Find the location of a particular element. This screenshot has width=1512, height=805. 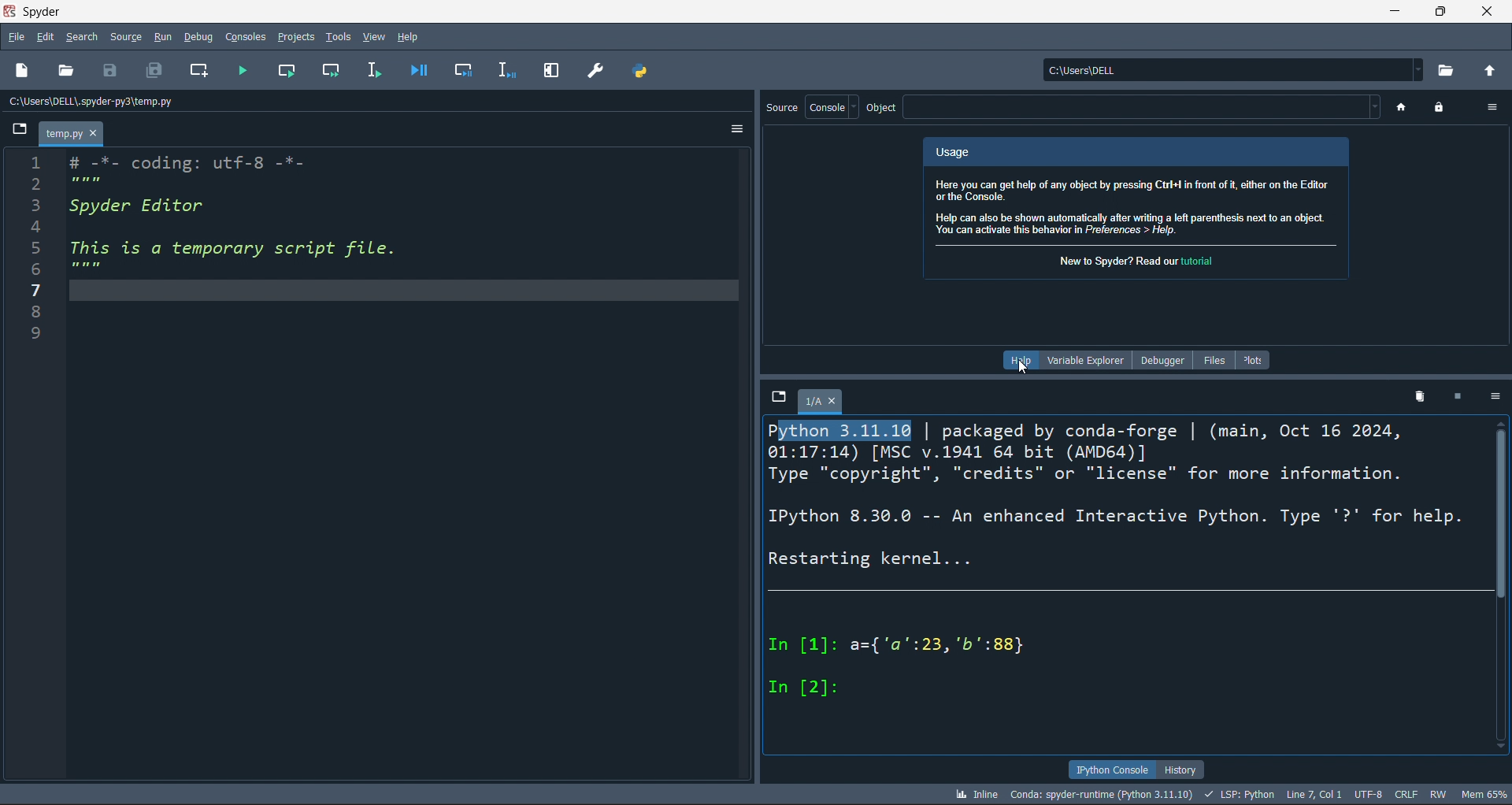

run cell is located at coordinates (288, 70).